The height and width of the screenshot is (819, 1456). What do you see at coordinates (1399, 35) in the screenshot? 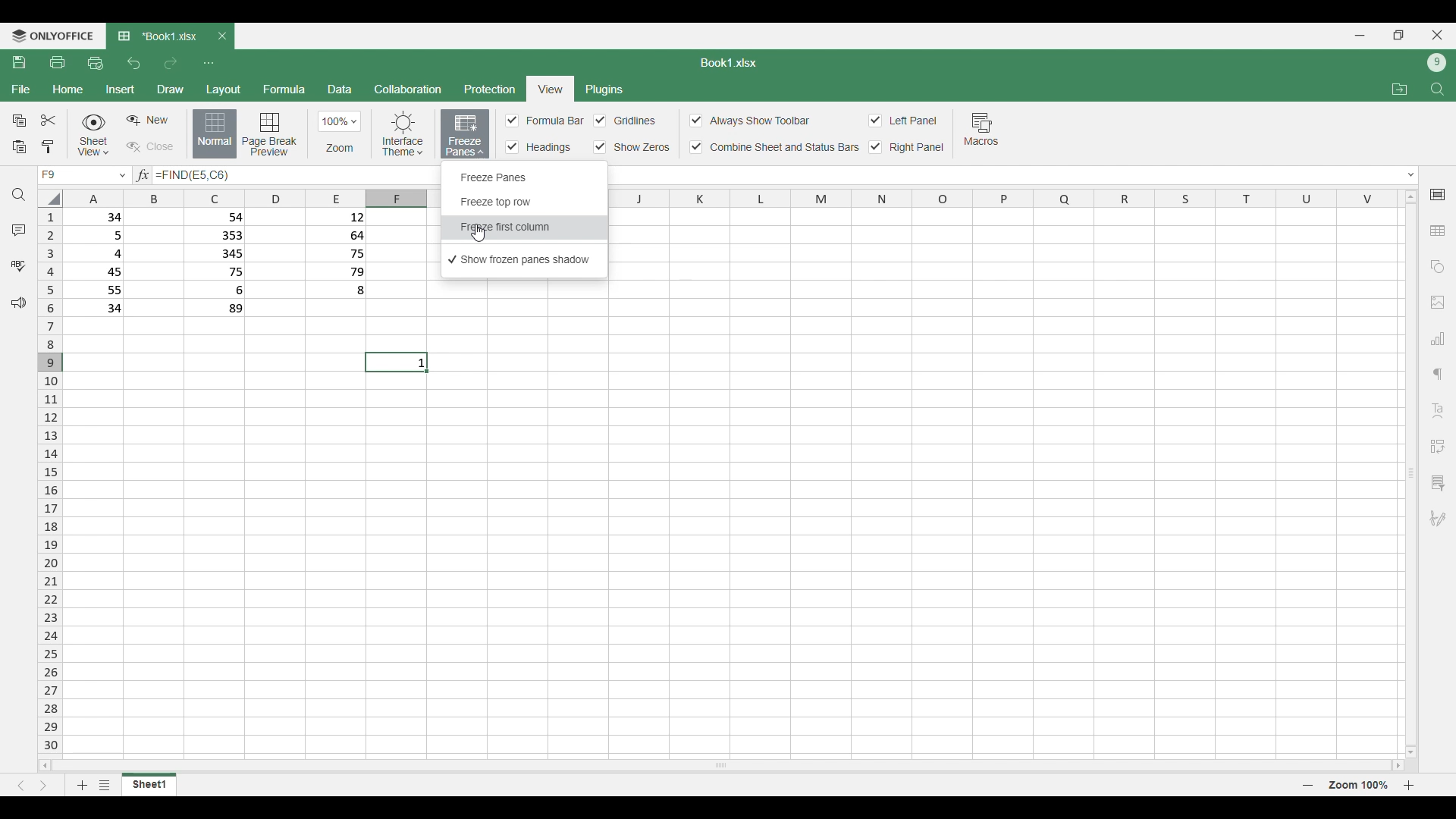
I see `Show in smaller tab` at bounding box center [1399, 35].